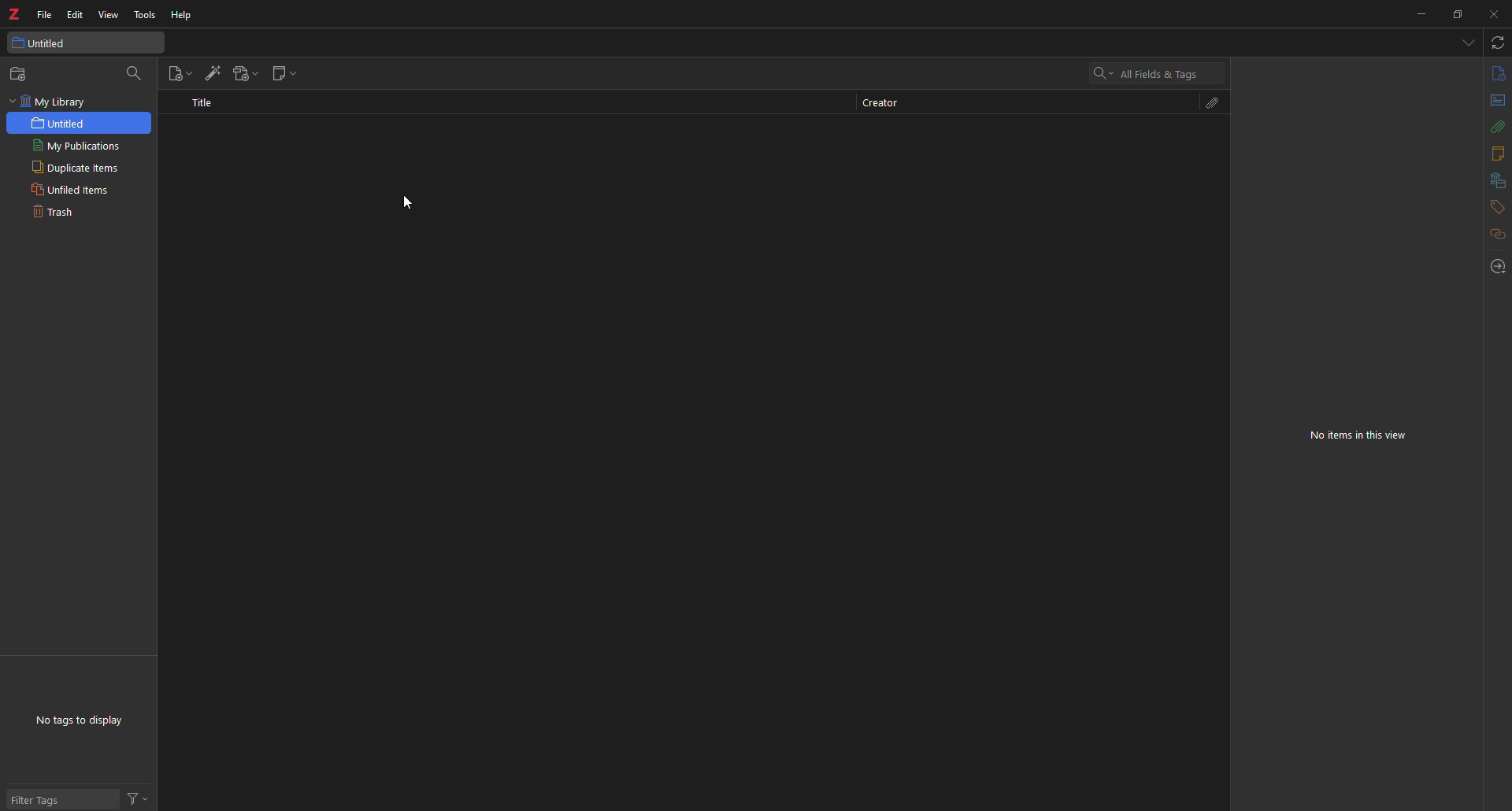 The image size is (1512, 811). I want to click on untitled, so click(47, 44).